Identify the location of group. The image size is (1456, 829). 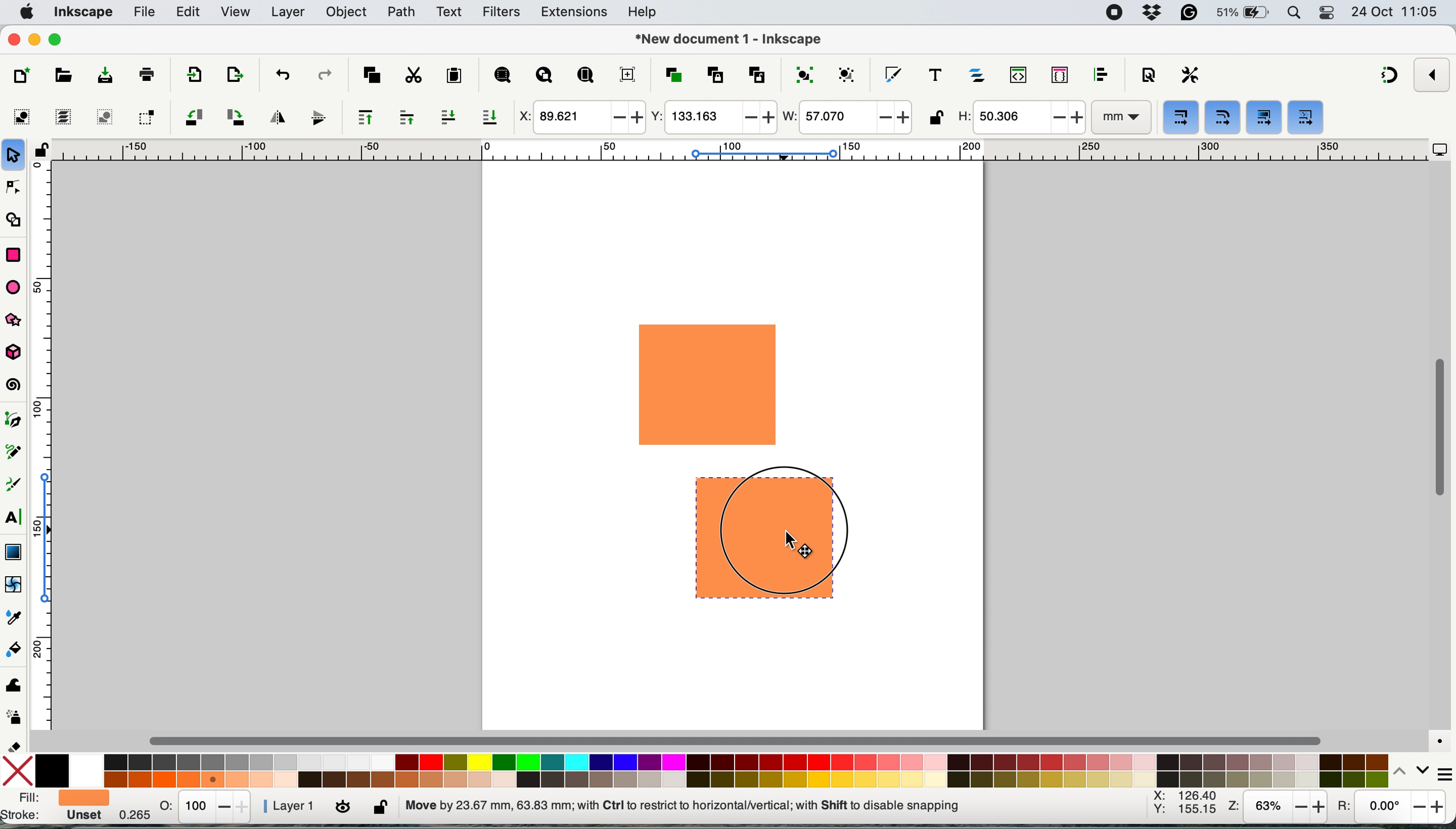
(803, 73).